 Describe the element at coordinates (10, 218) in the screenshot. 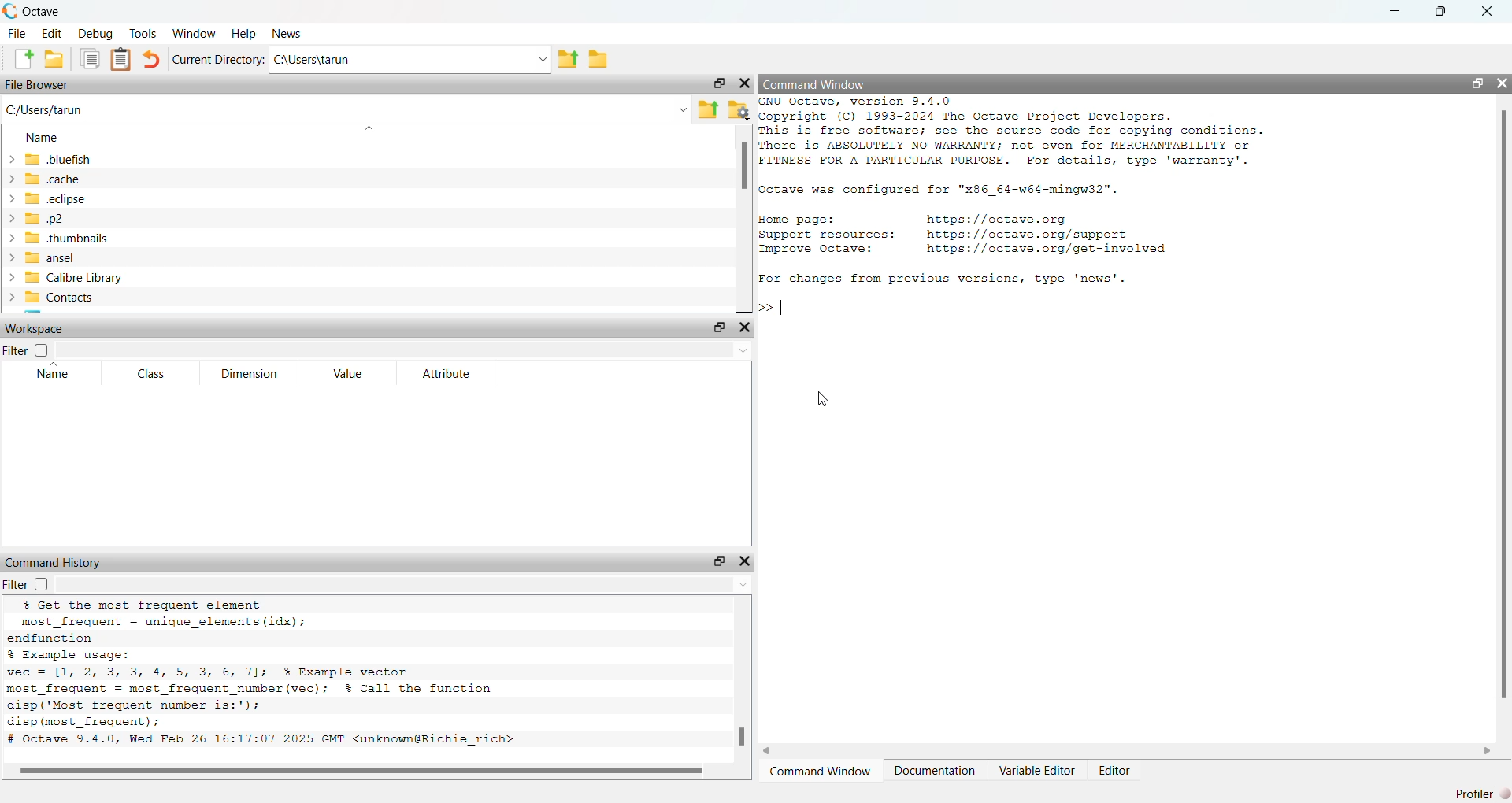

I see `expand/collapse` at that location.